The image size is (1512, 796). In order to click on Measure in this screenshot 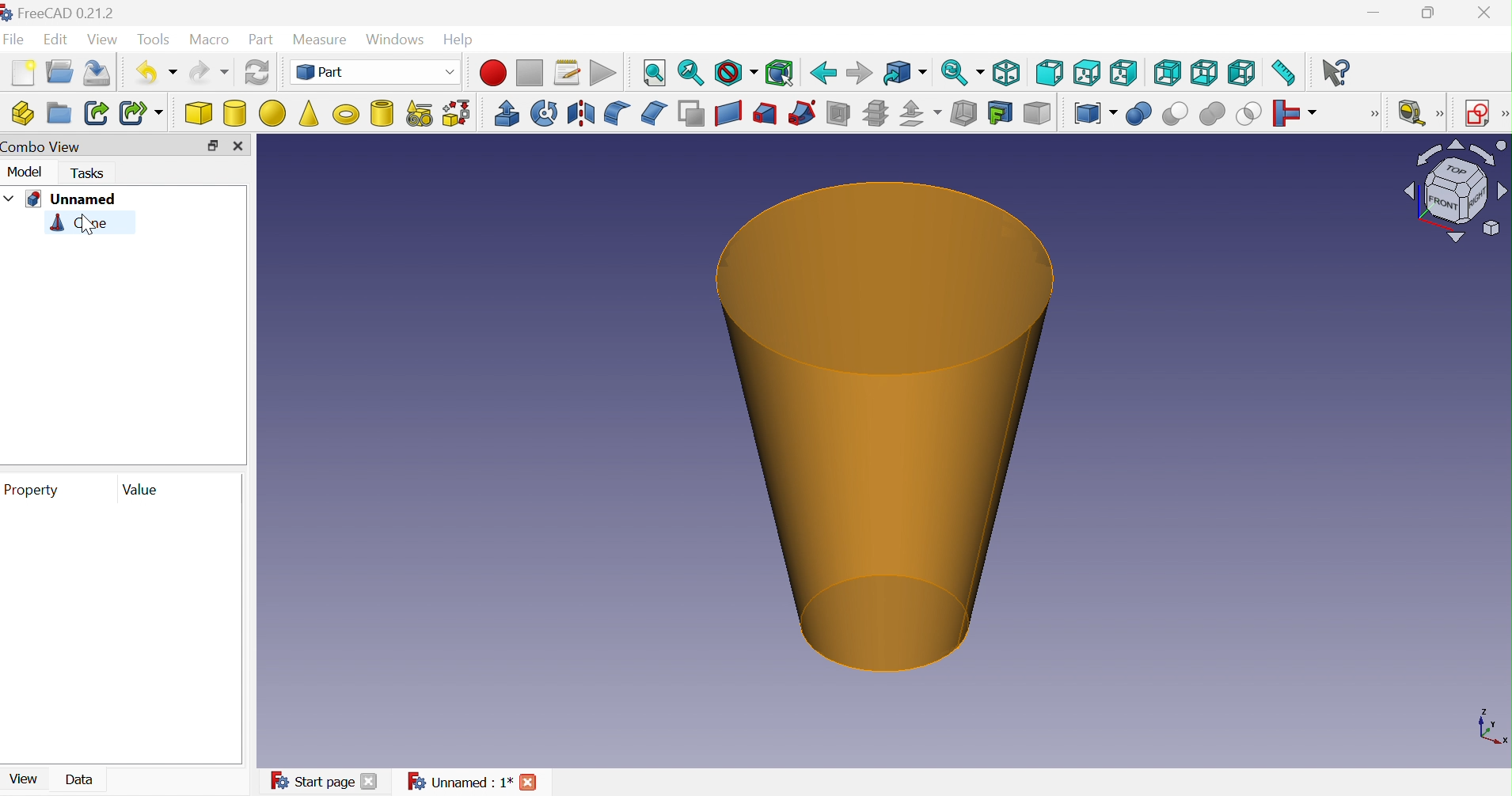, I will do `click(319, 38)`.